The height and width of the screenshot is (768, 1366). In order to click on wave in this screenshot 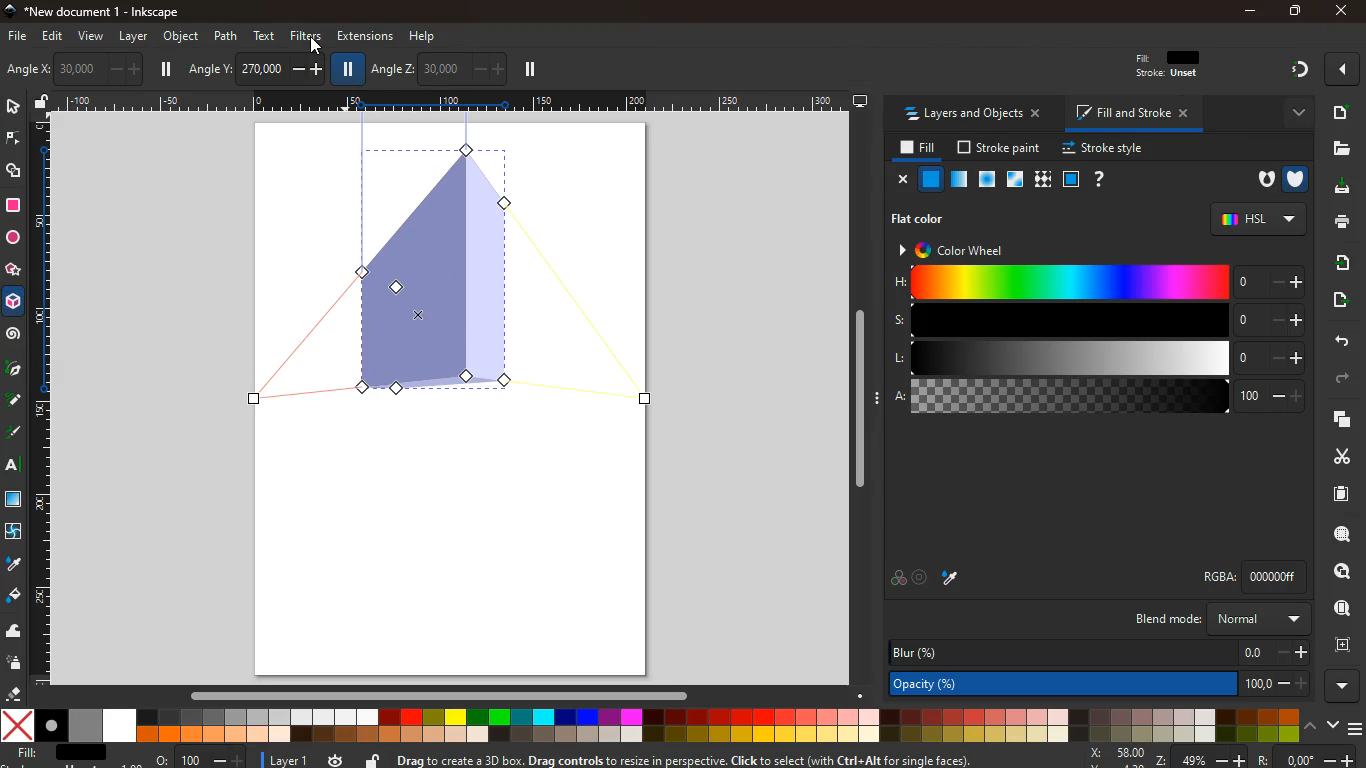, I will do `click(16, 633)`.